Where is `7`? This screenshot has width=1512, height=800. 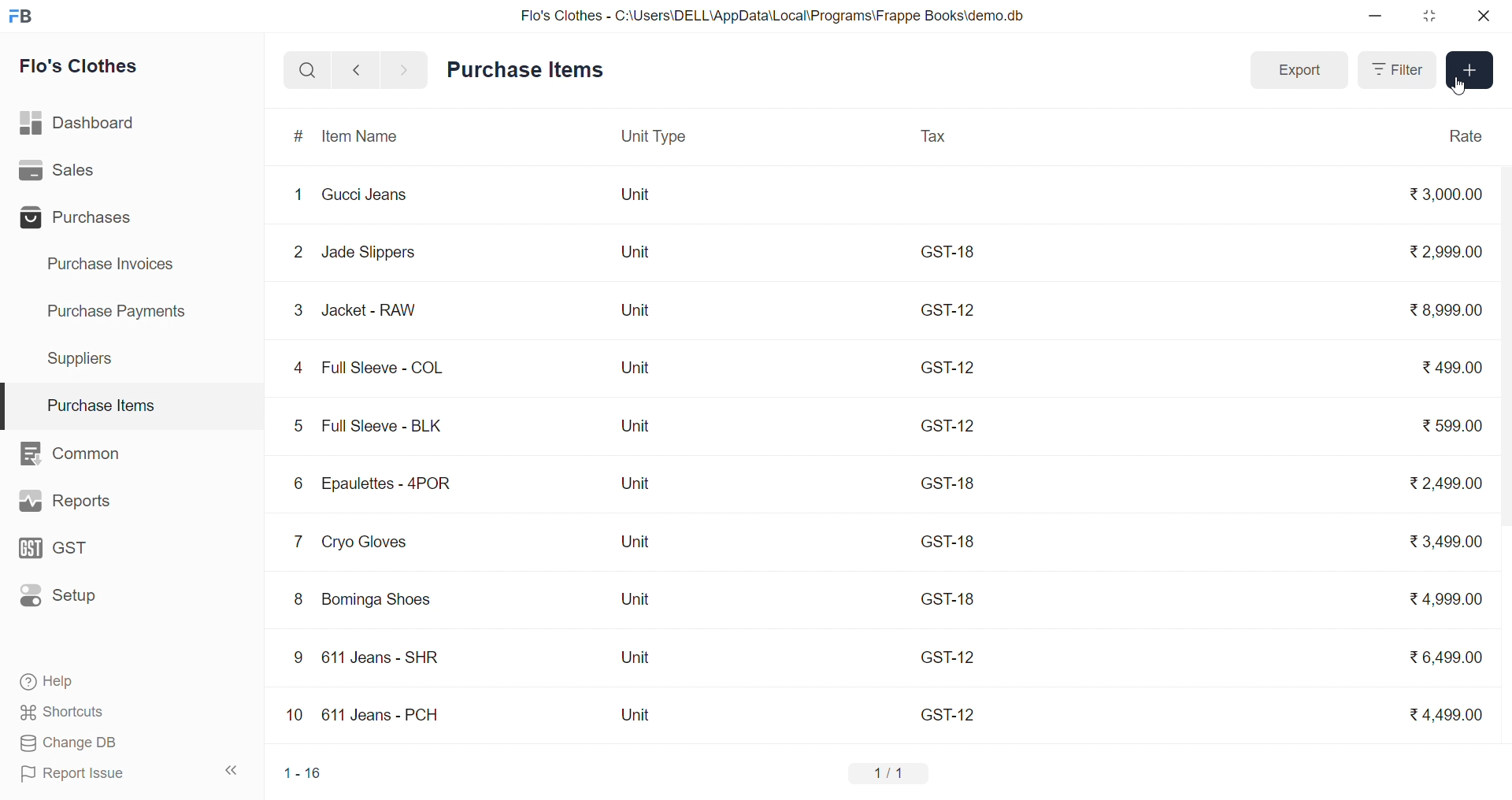
7 is located at coordinates (298, 542).